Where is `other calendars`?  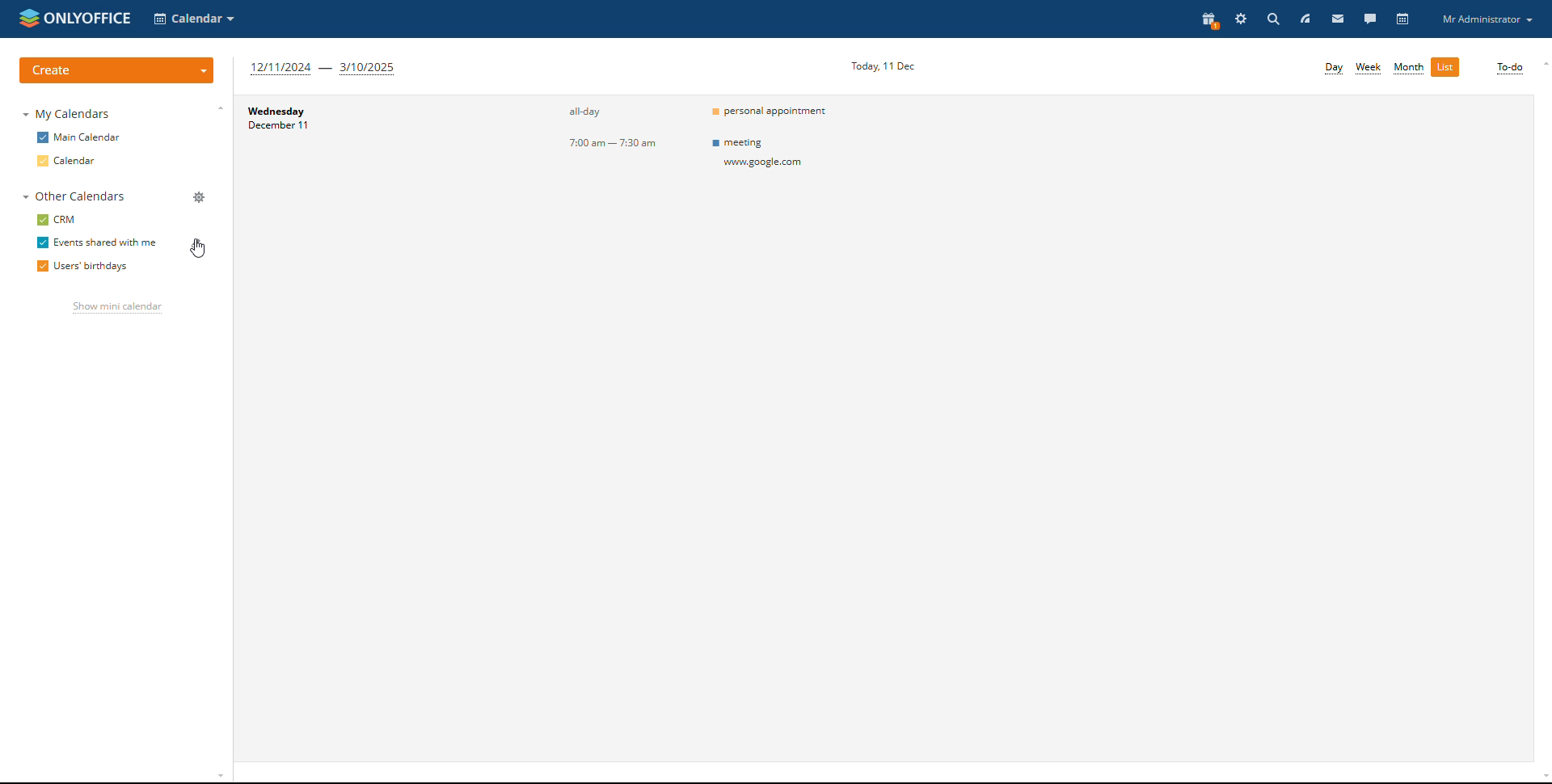 other calendars is located at coordinates (75, 196).